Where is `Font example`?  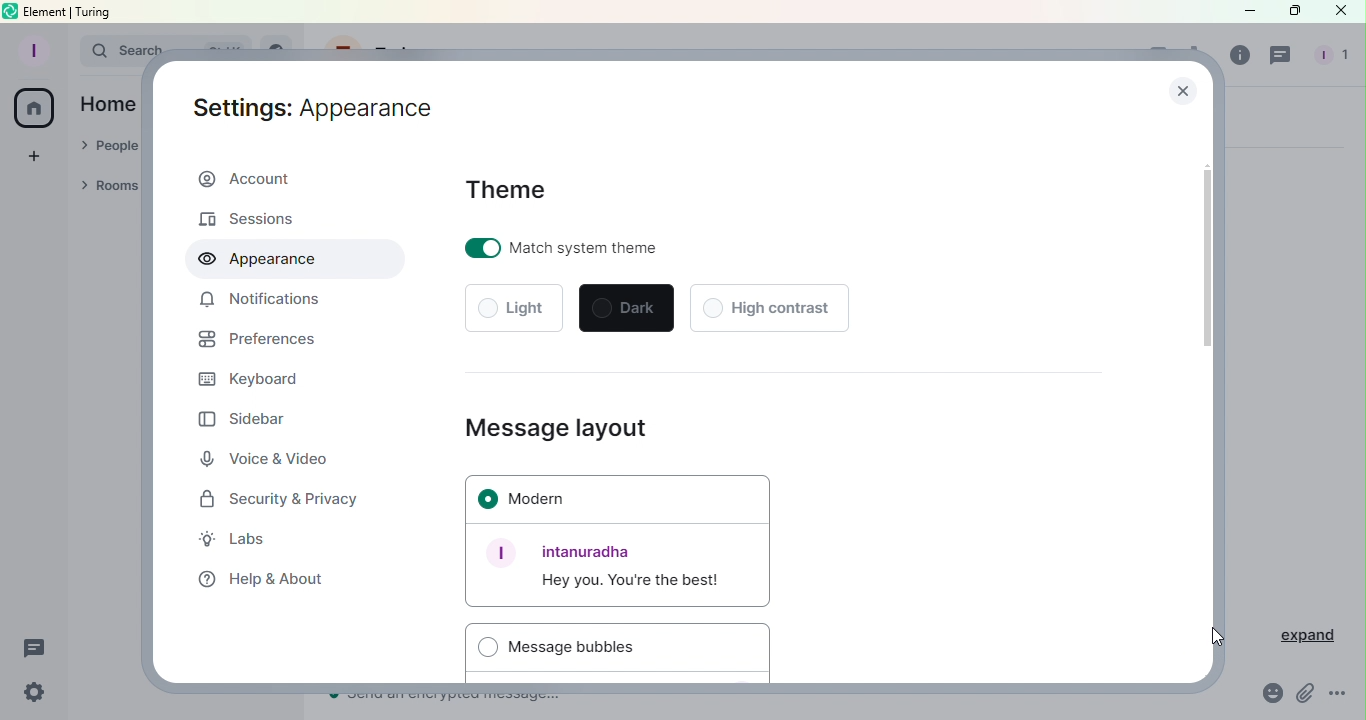
Font example is located at coordinates (616, 569).